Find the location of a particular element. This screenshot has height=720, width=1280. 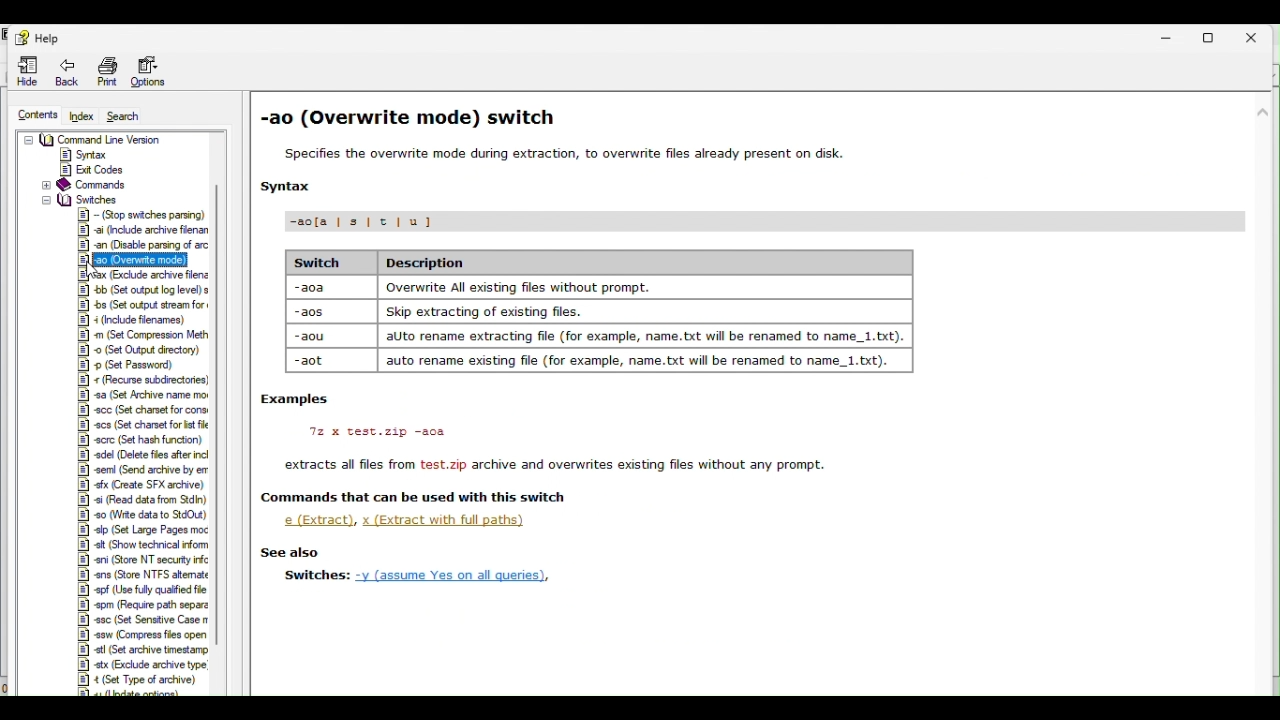

Command Line Version is located at coordinates (122, 138).